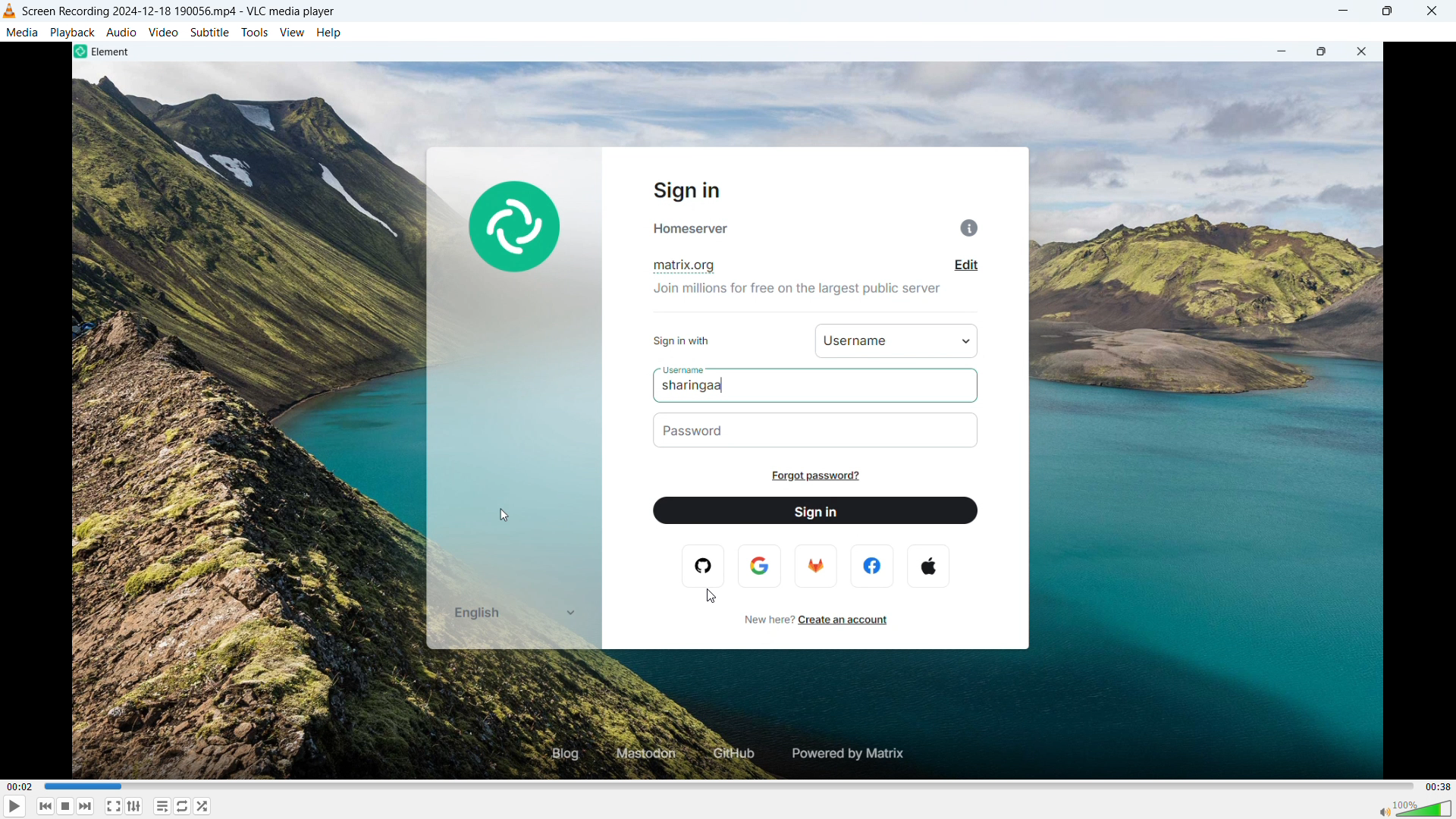 This screenshot has height=819, width=1456. Describe the element at coordinates (1386, 11) in the screenshot. I see `maximize` at that location.